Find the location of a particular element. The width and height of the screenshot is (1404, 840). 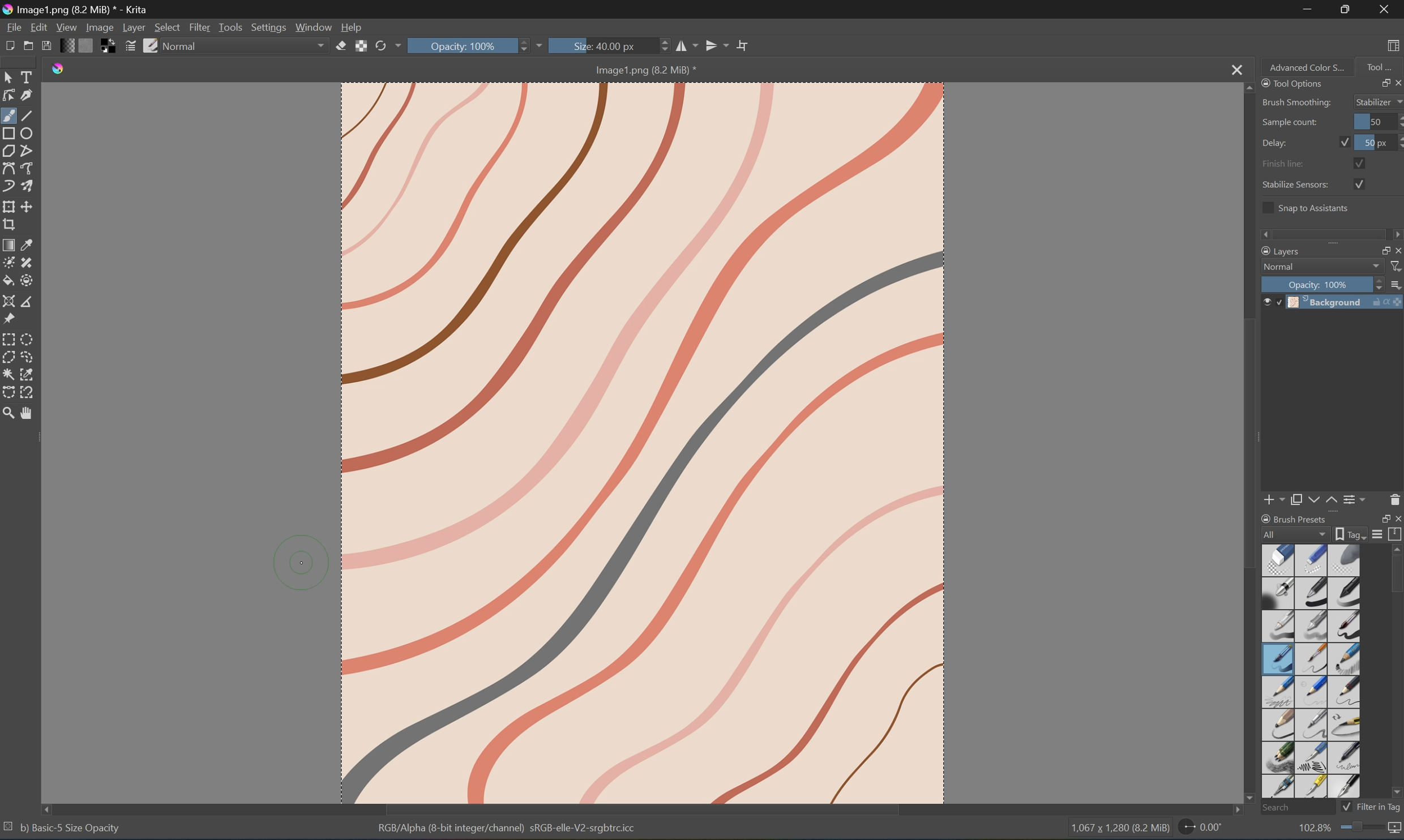

Scroll Left is located at coordinates (1266, 234).